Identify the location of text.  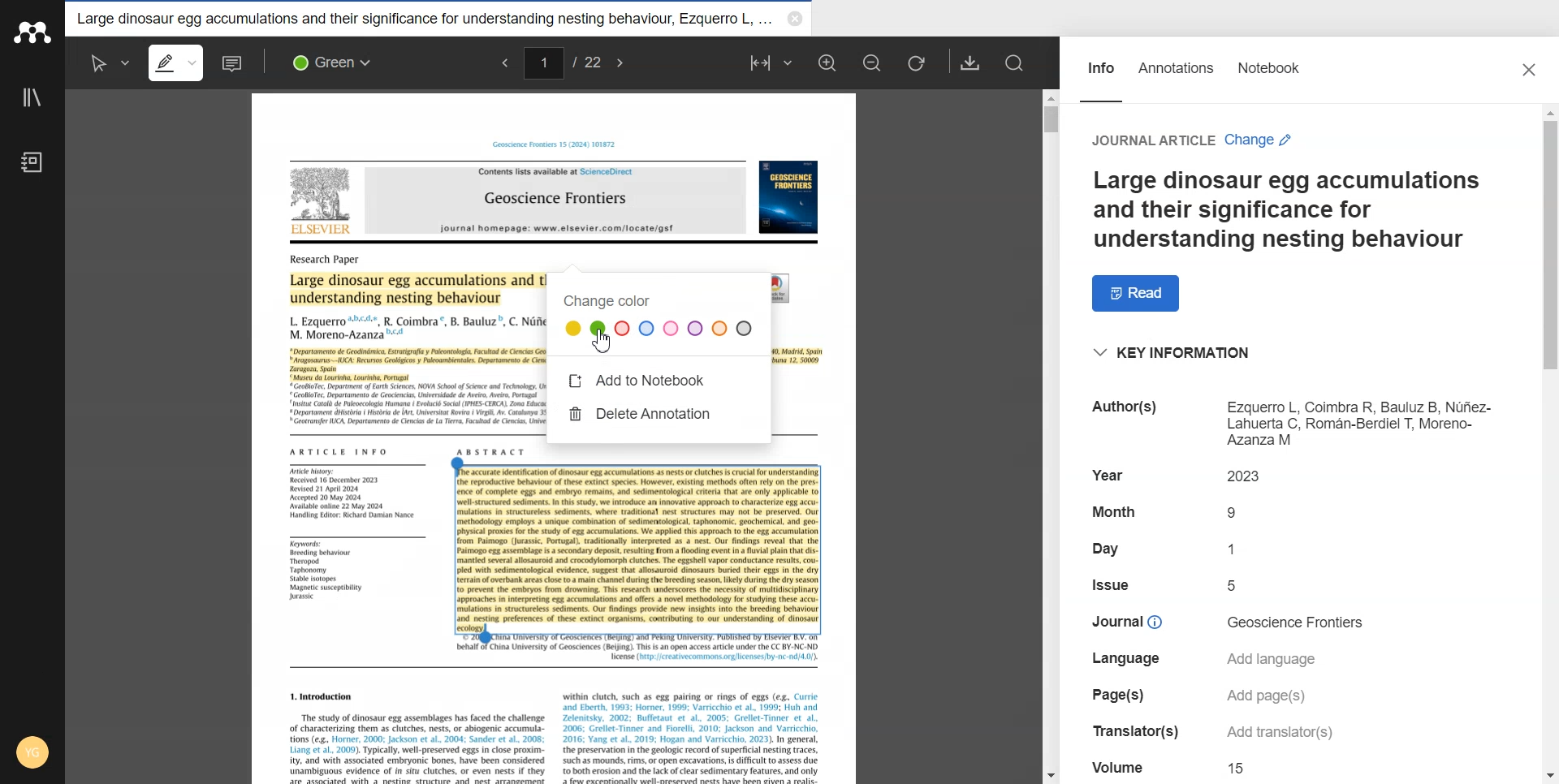
(1125, 660).